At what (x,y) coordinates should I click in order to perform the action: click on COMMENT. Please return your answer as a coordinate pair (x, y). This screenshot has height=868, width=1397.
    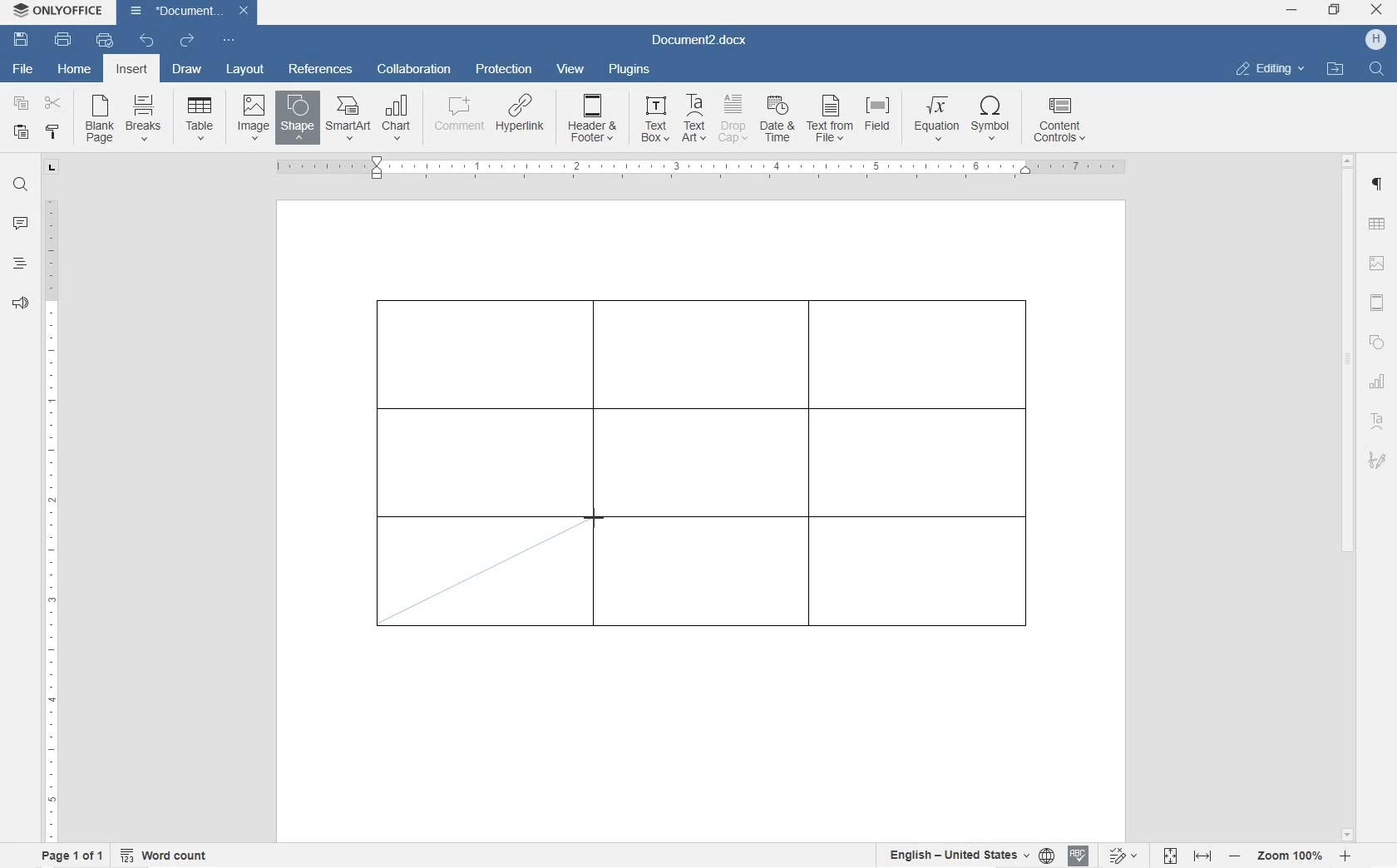
    Looking at the image, I should click on (458, 119).